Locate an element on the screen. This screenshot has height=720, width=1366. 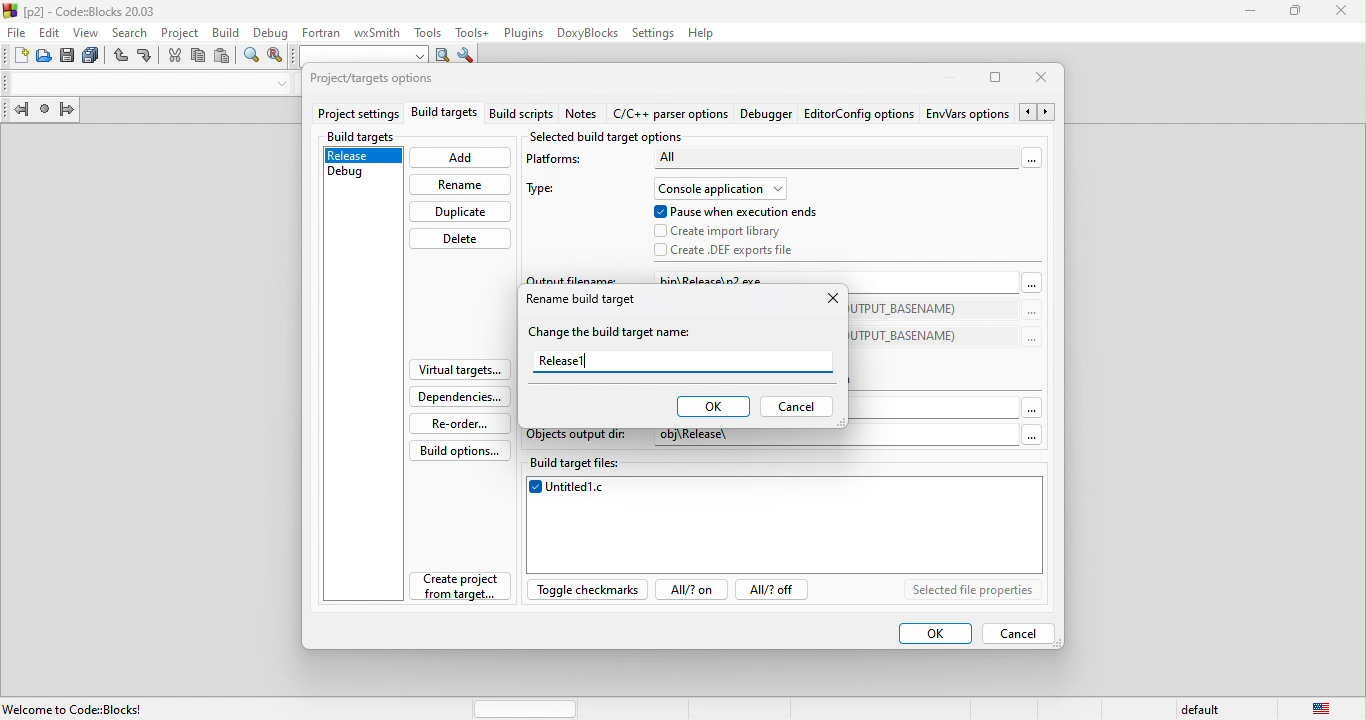
minimize is located at coordinates (1251, 12).